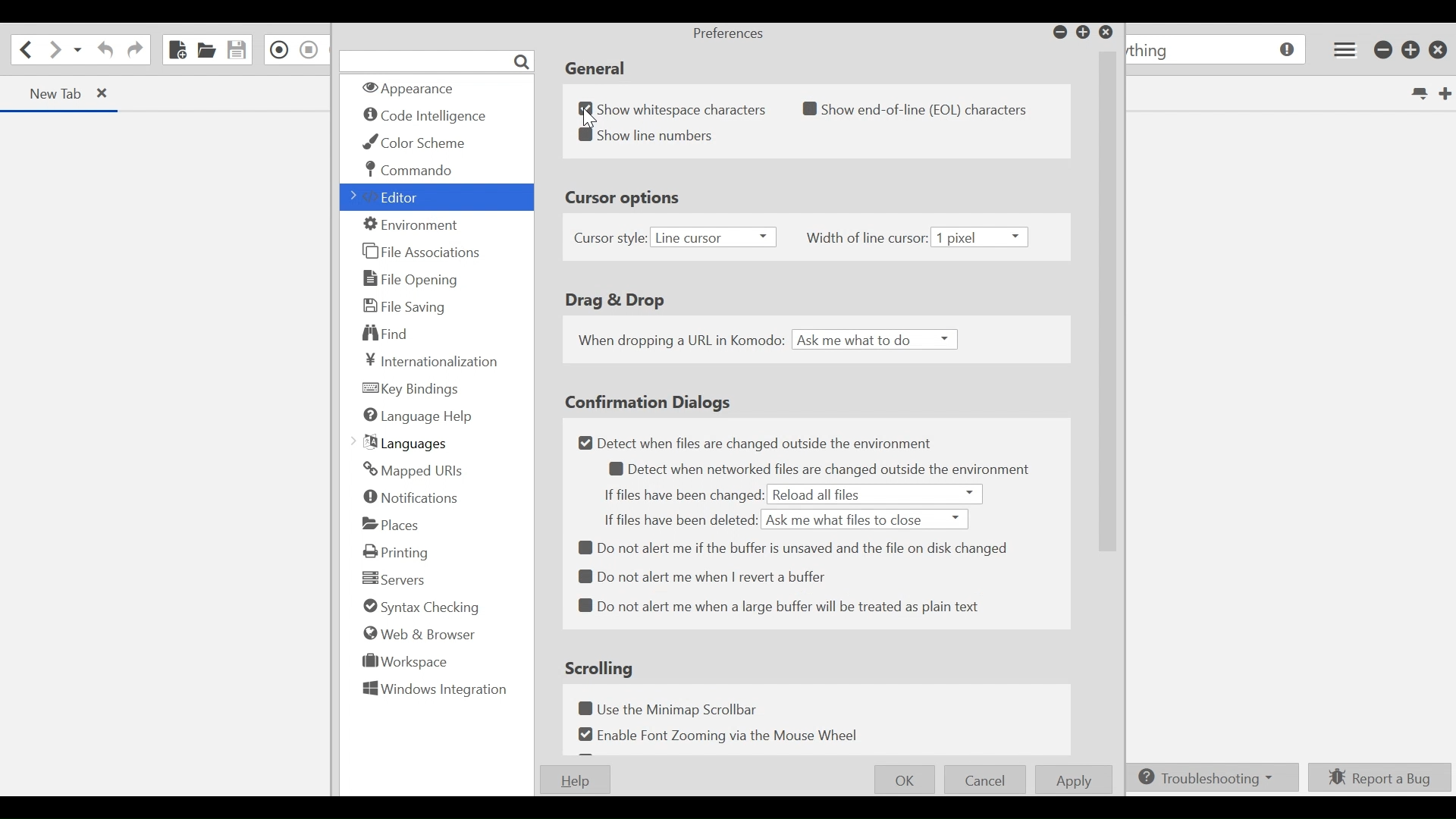 This screenshot has height=819, width=1456. Describe the element at coordinates (727, 35) in the screenshot. I see `Preferences` at that location.